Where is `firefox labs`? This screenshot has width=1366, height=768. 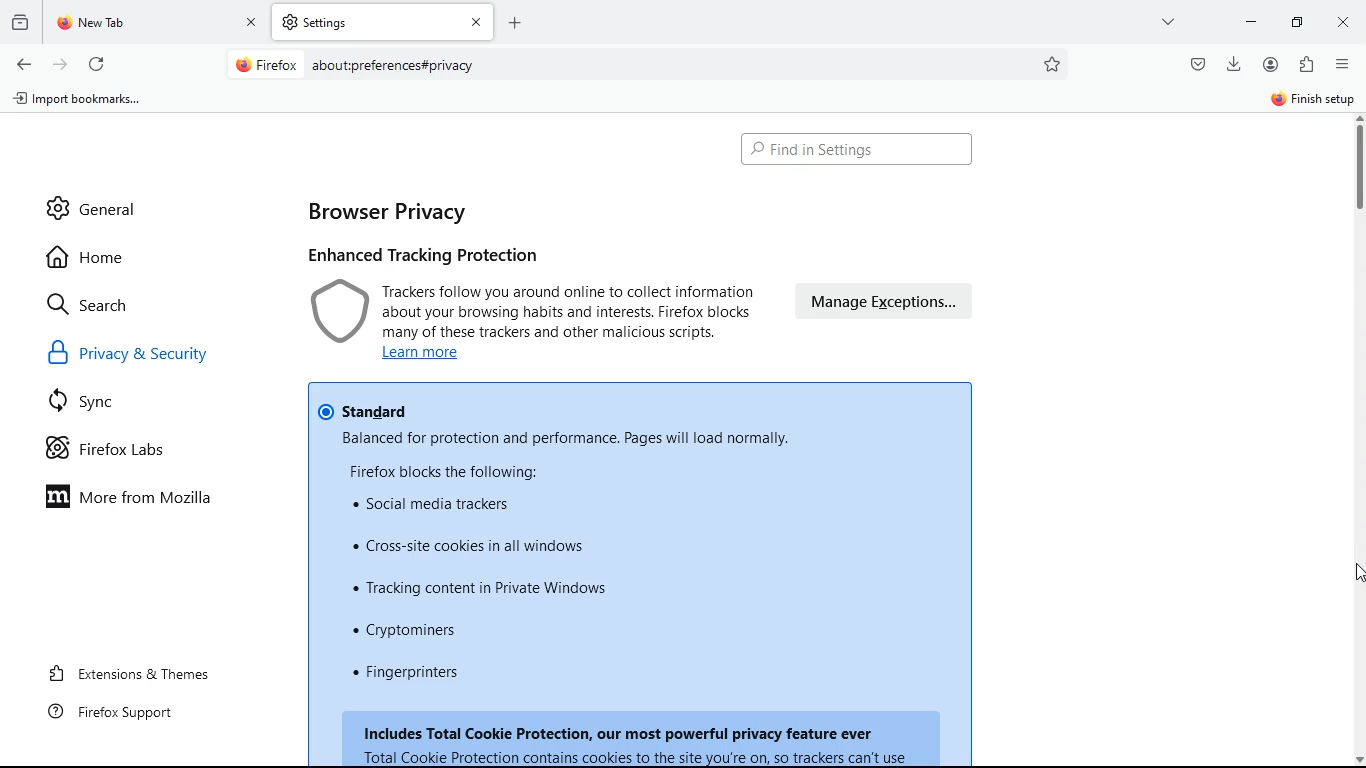
firefox labs is located at coordinates (126, 453).